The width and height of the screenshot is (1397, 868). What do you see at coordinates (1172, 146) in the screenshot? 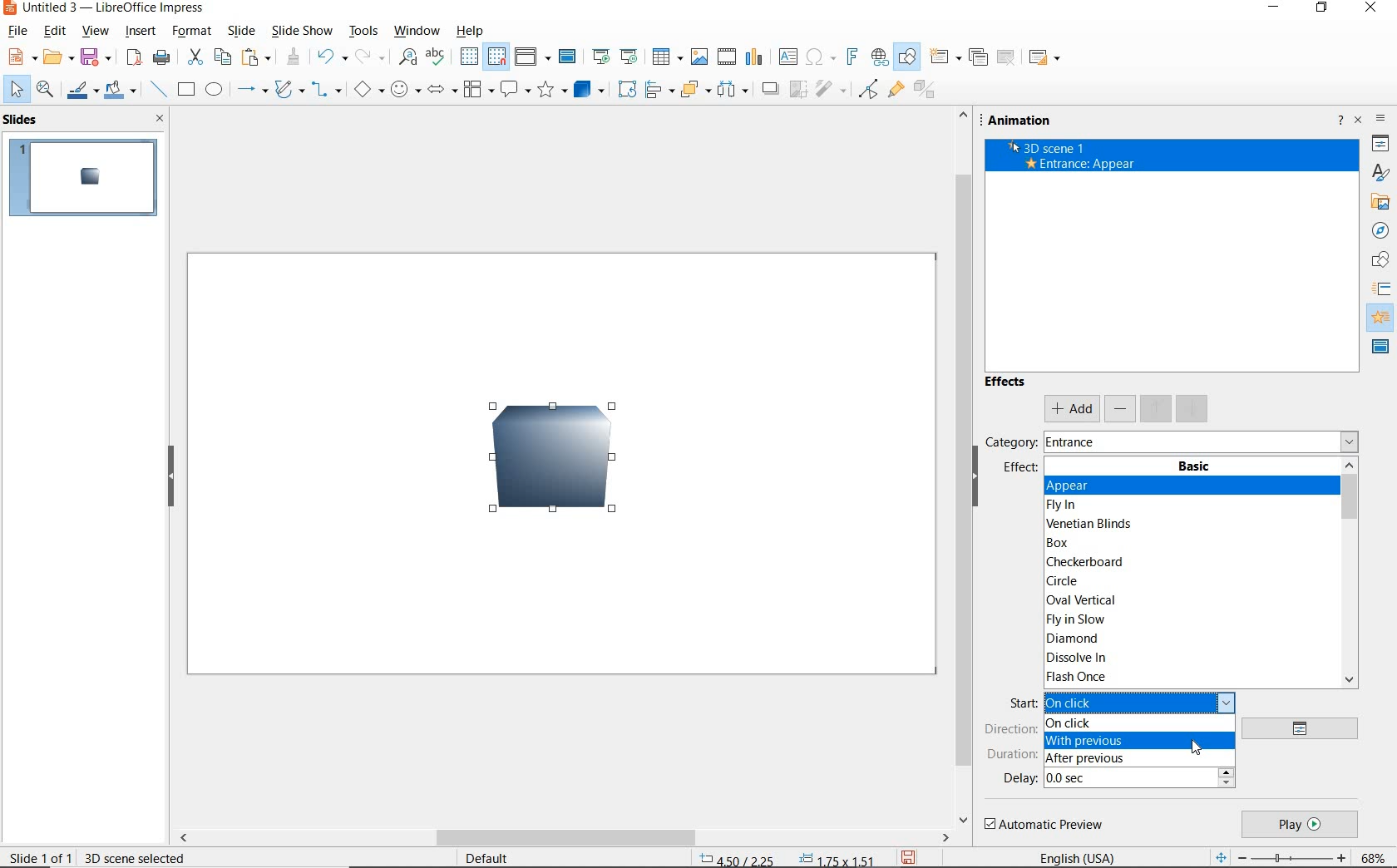
I see `3D Scene 1` at bounding box center [1172, 146].